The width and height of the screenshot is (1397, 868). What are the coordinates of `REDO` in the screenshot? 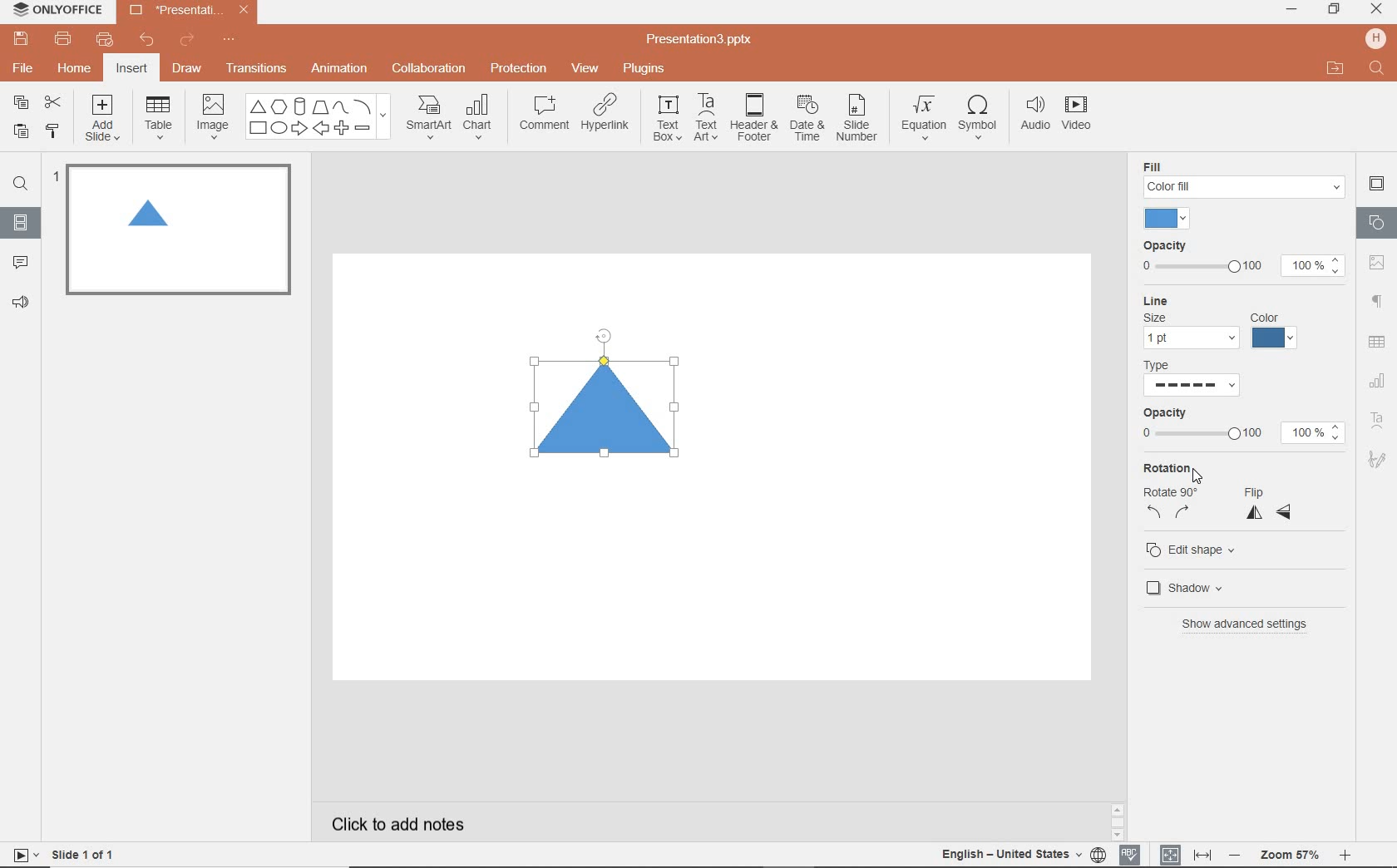 It's located at (189, 41).